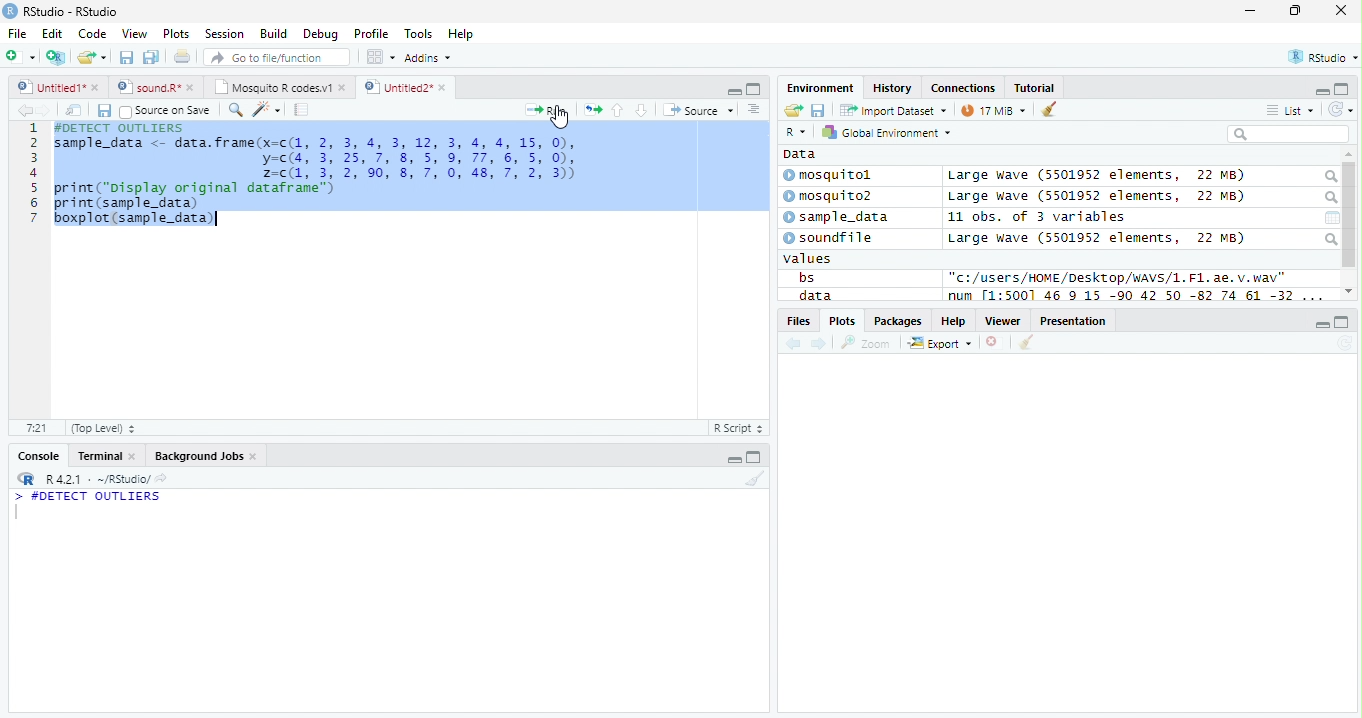 The image size is (1362, 718). What do you see at coordinates (1049, 108) in the screenshot?
I see `clear console` at bounding box center [1049, 108].